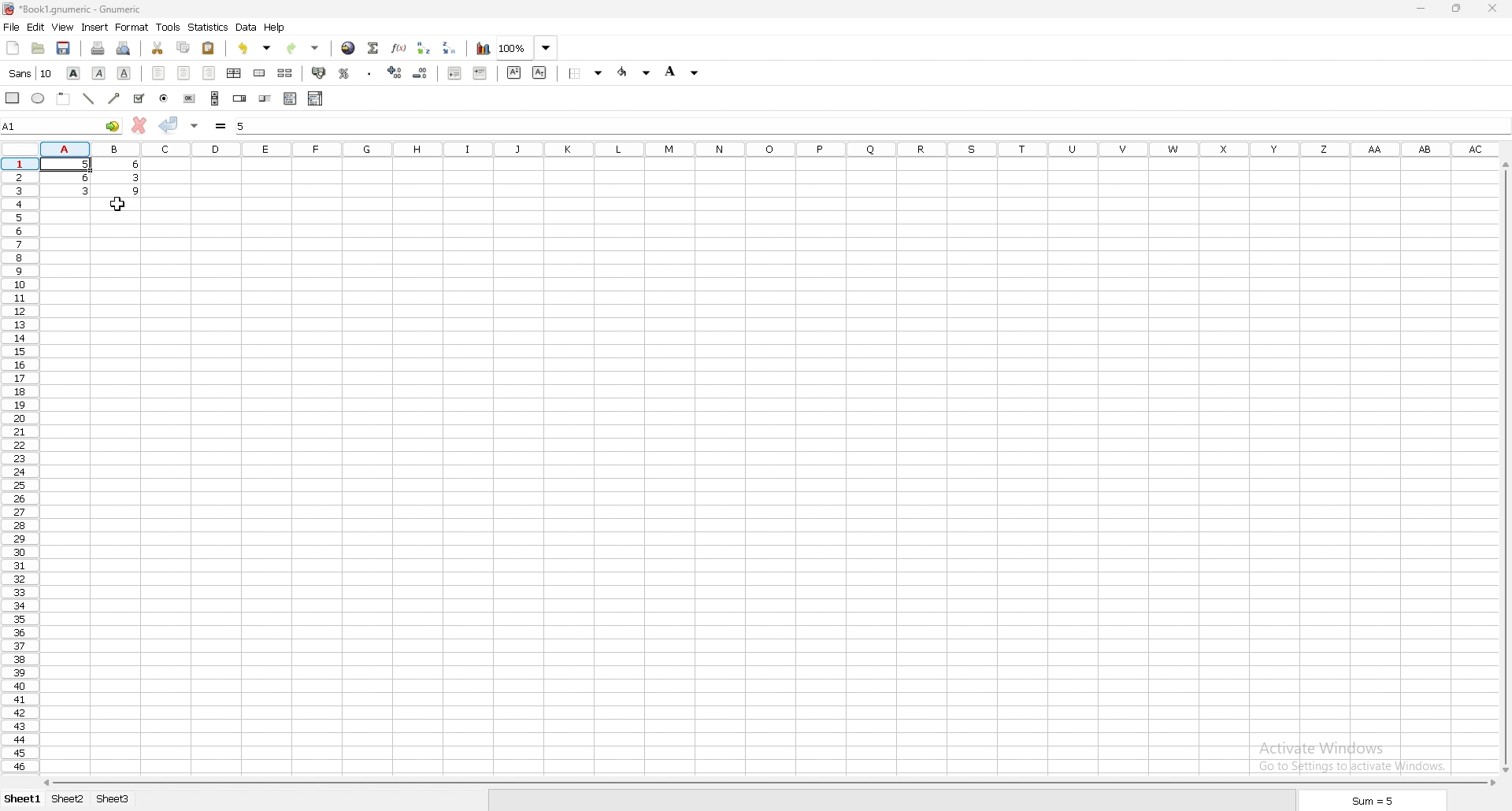 The image size is (1512, 811). Describe the element at coordinates (36, 27) in the screenshot. I see `edit` at that location.